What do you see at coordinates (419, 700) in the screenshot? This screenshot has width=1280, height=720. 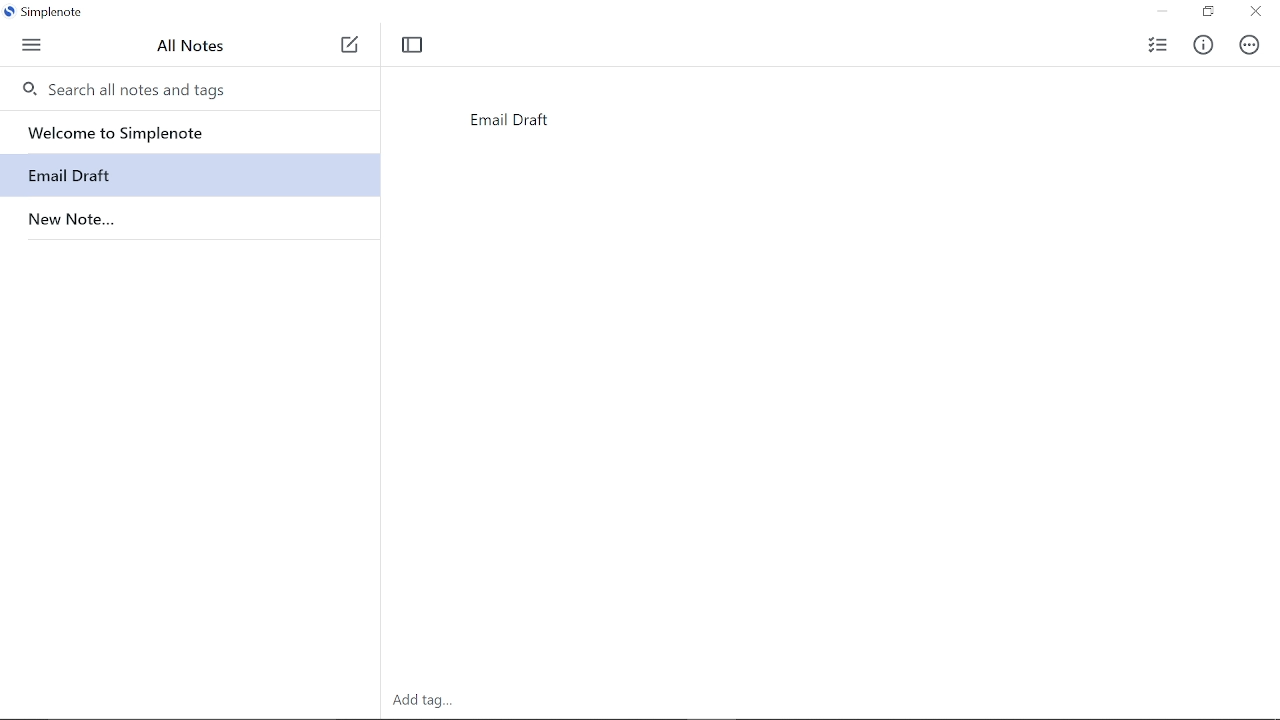 I see `Add tag` at bounding box center [419, 700].